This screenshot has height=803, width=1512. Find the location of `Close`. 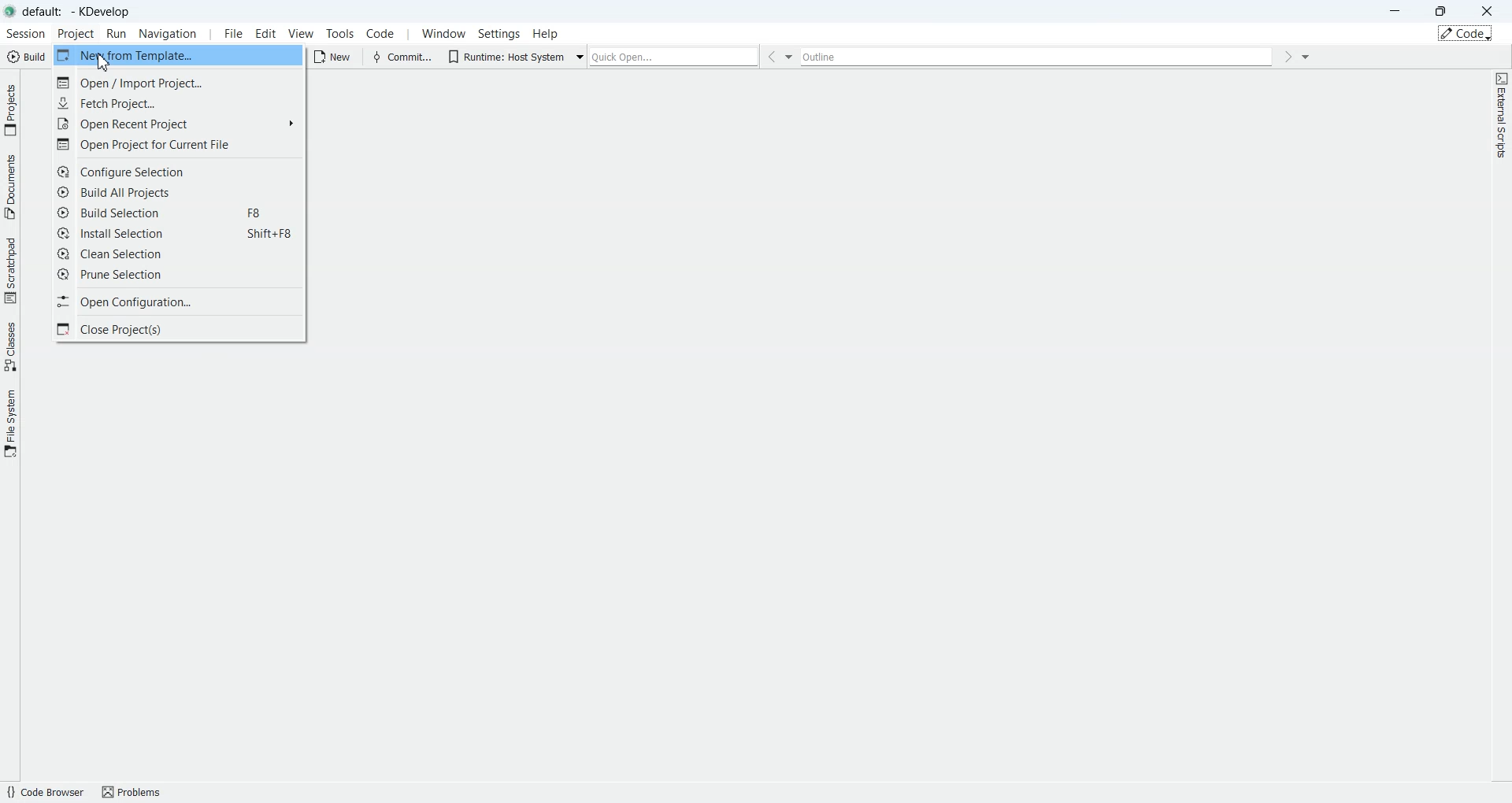

Close is located at coordinates (1487, 10).